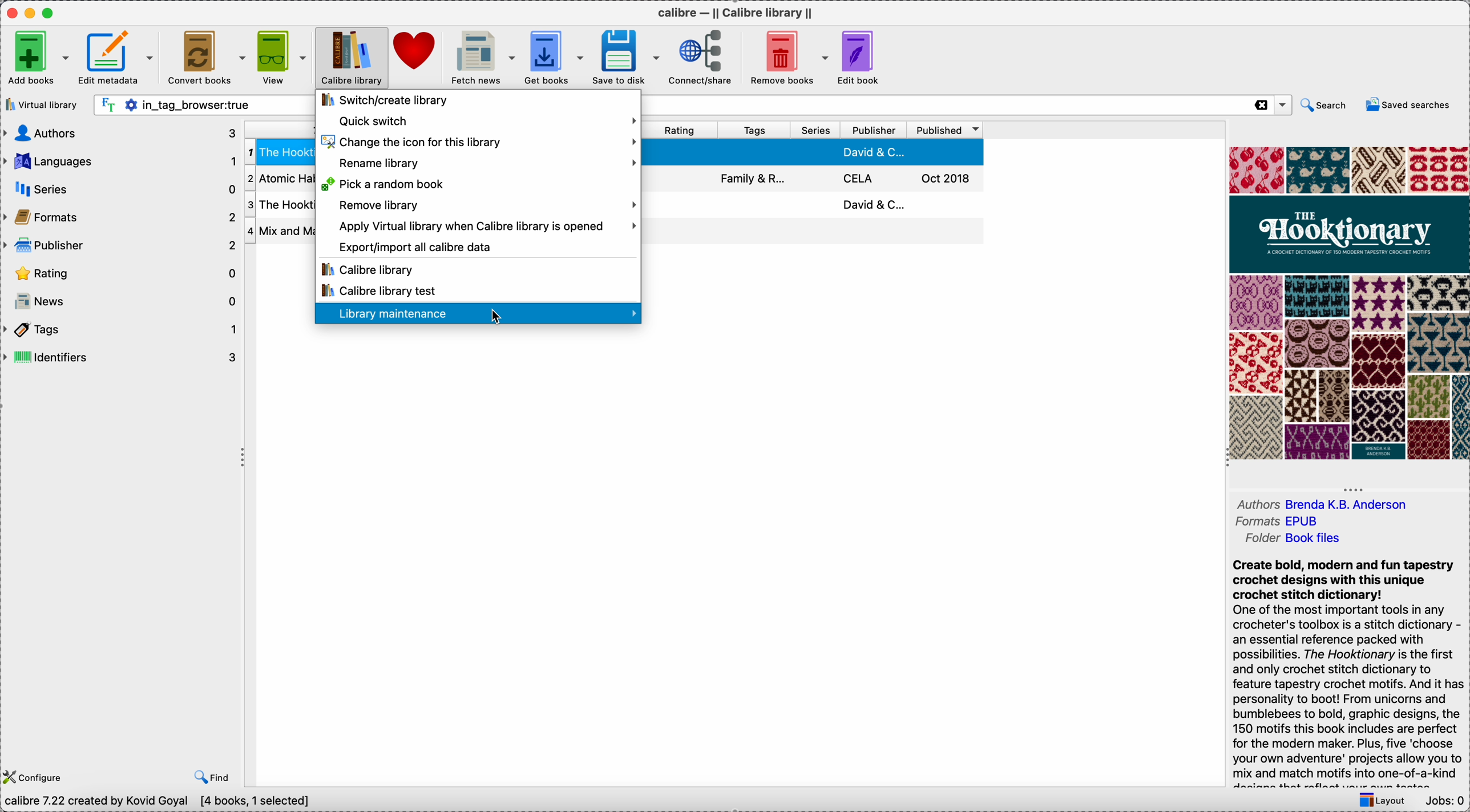 Image resolution: width=1470 pixels, height=812 pixels. Describe the element at coordinates (863, 58) in the screenshot. I see `edit book` at that location.